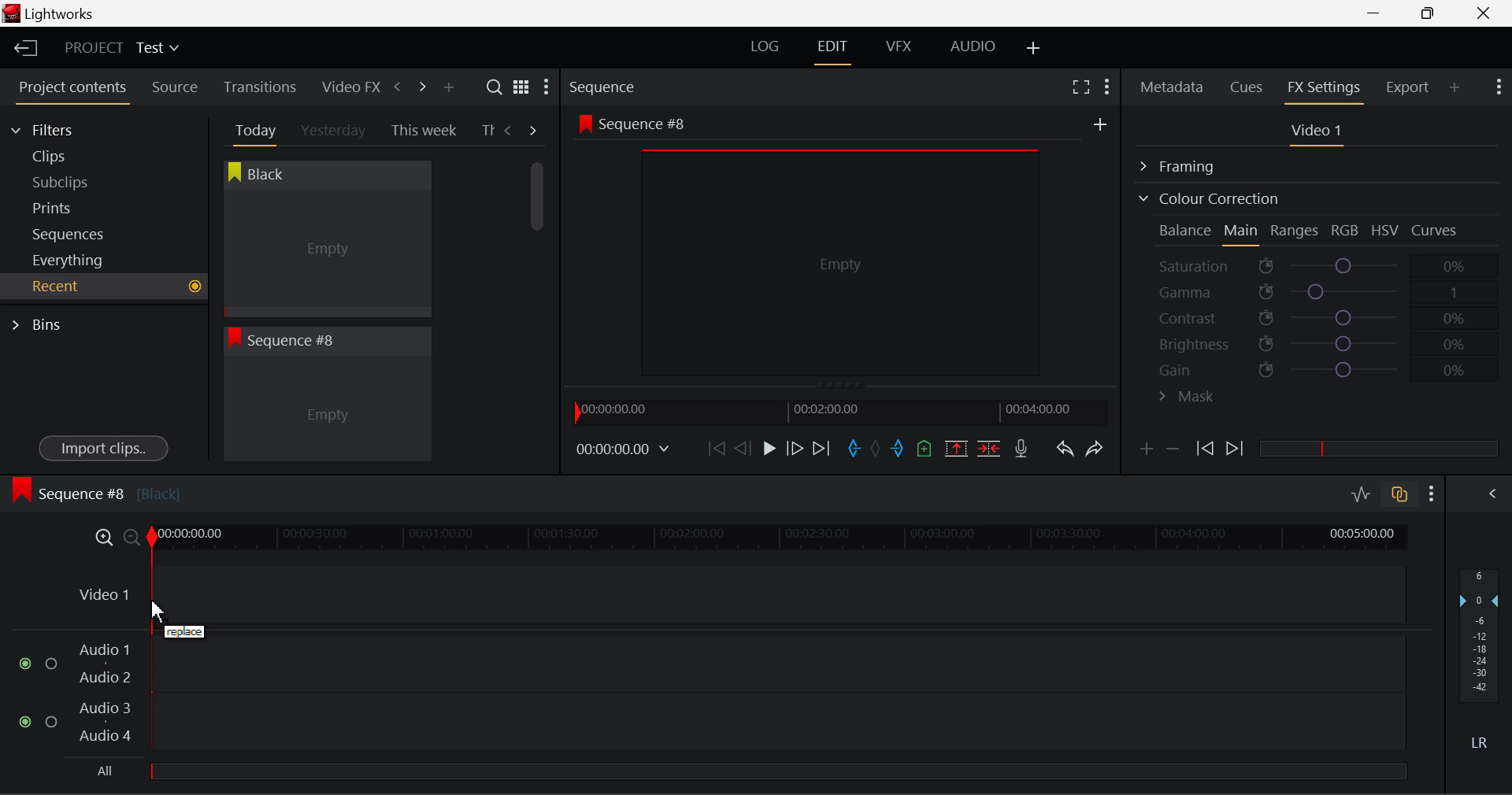  What do you see at coordinates (1432, 13) in the screenshot?
I see `Minimize` at bounding box center [1432, 13].